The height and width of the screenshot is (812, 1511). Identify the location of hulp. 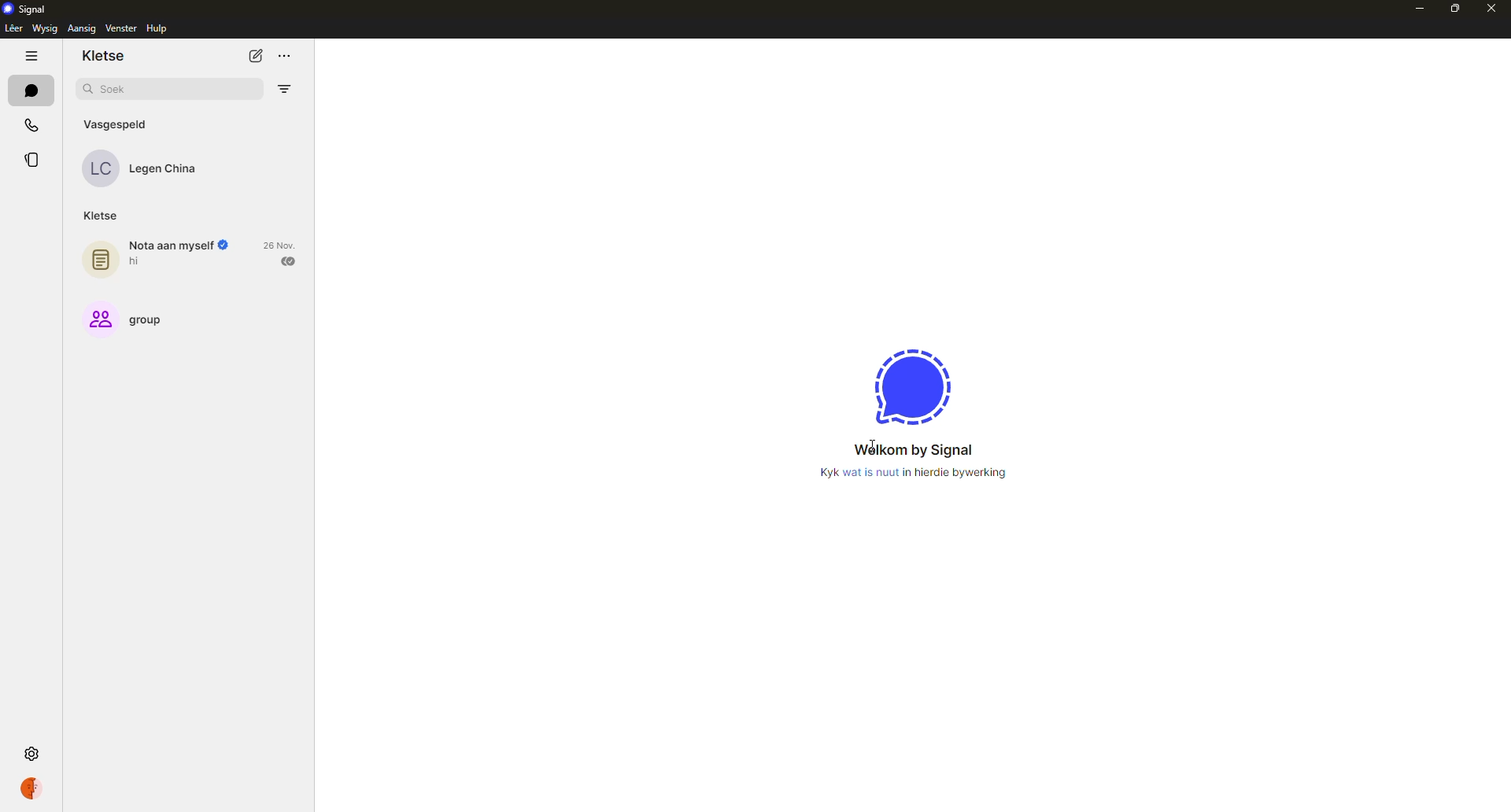
(162, 30).